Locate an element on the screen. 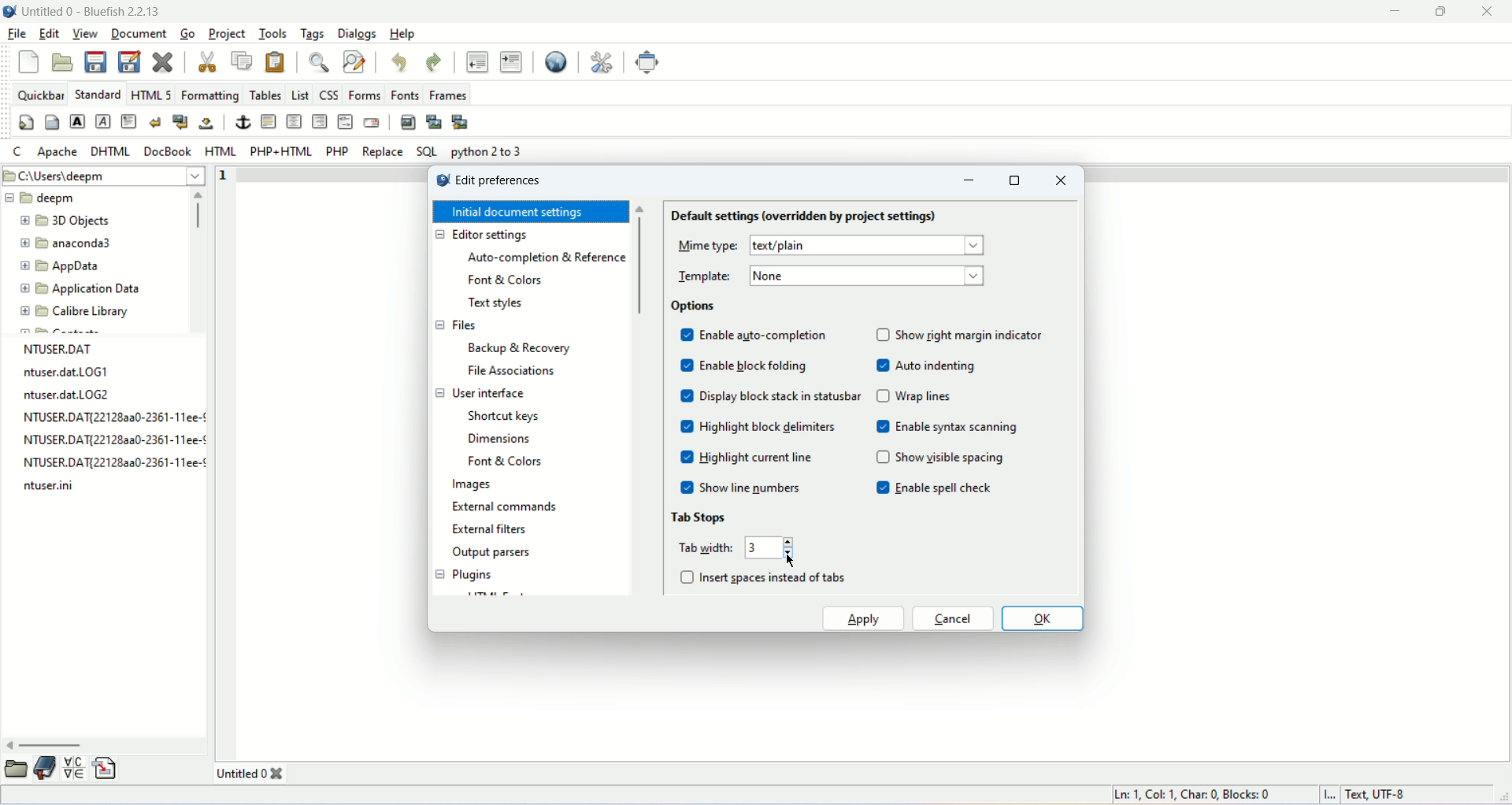 The height and width of the screenshot is (805, 1512). right justify is located at coordinates (318, 121).